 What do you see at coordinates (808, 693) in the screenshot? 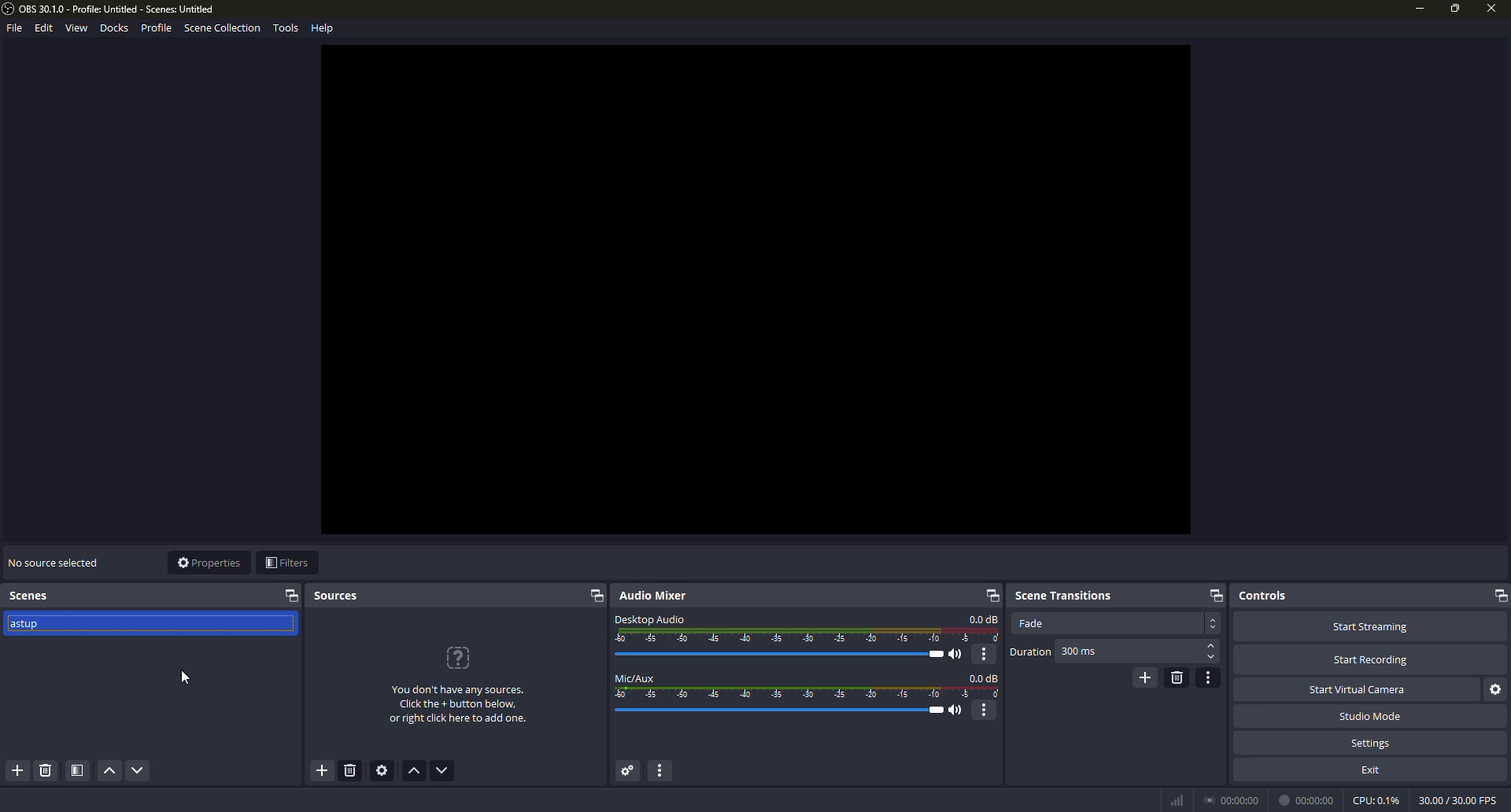
I see `range select` at bounding box center [808, 693].